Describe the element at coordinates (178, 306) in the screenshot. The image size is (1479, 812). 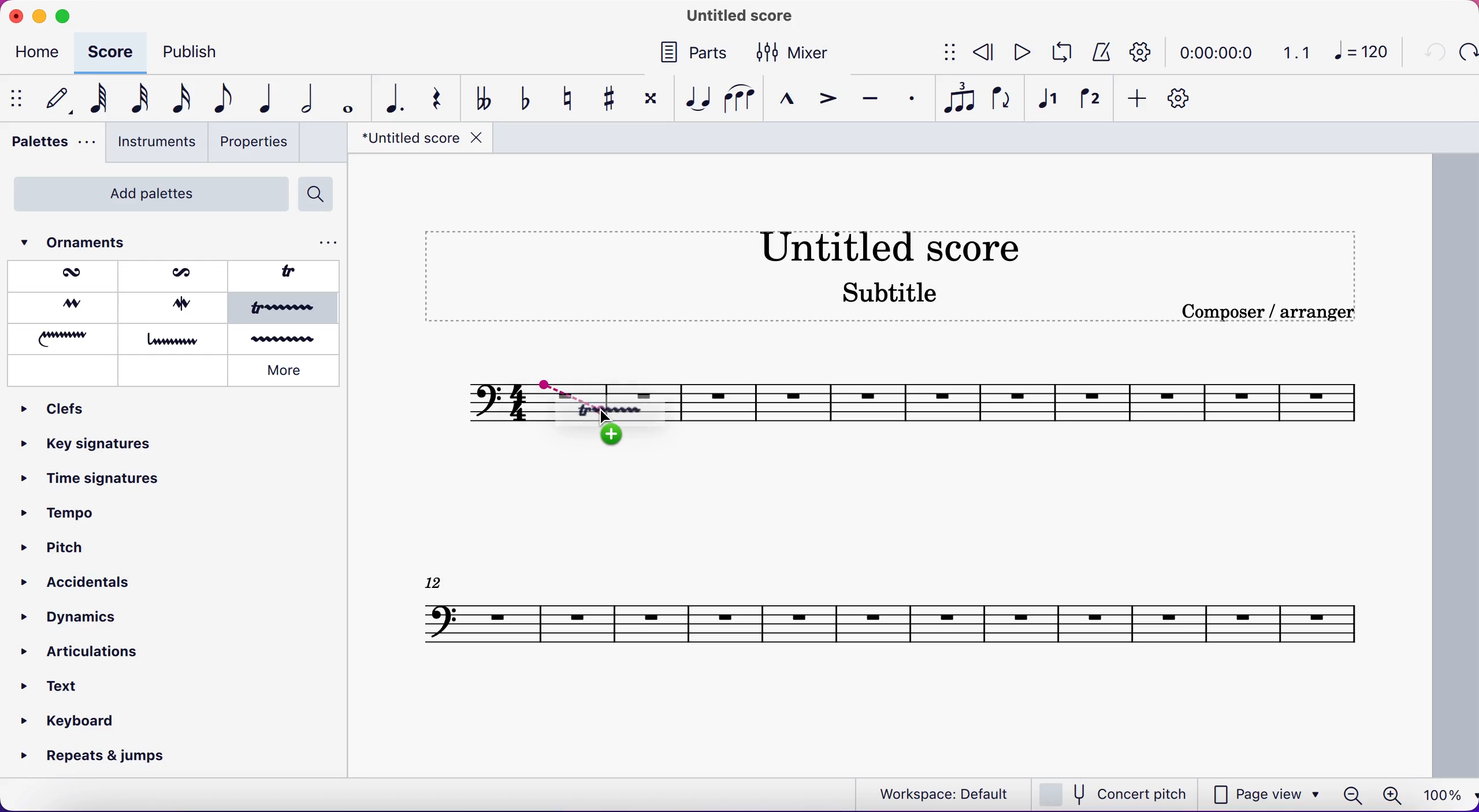
I see `inverted turn` at that location.